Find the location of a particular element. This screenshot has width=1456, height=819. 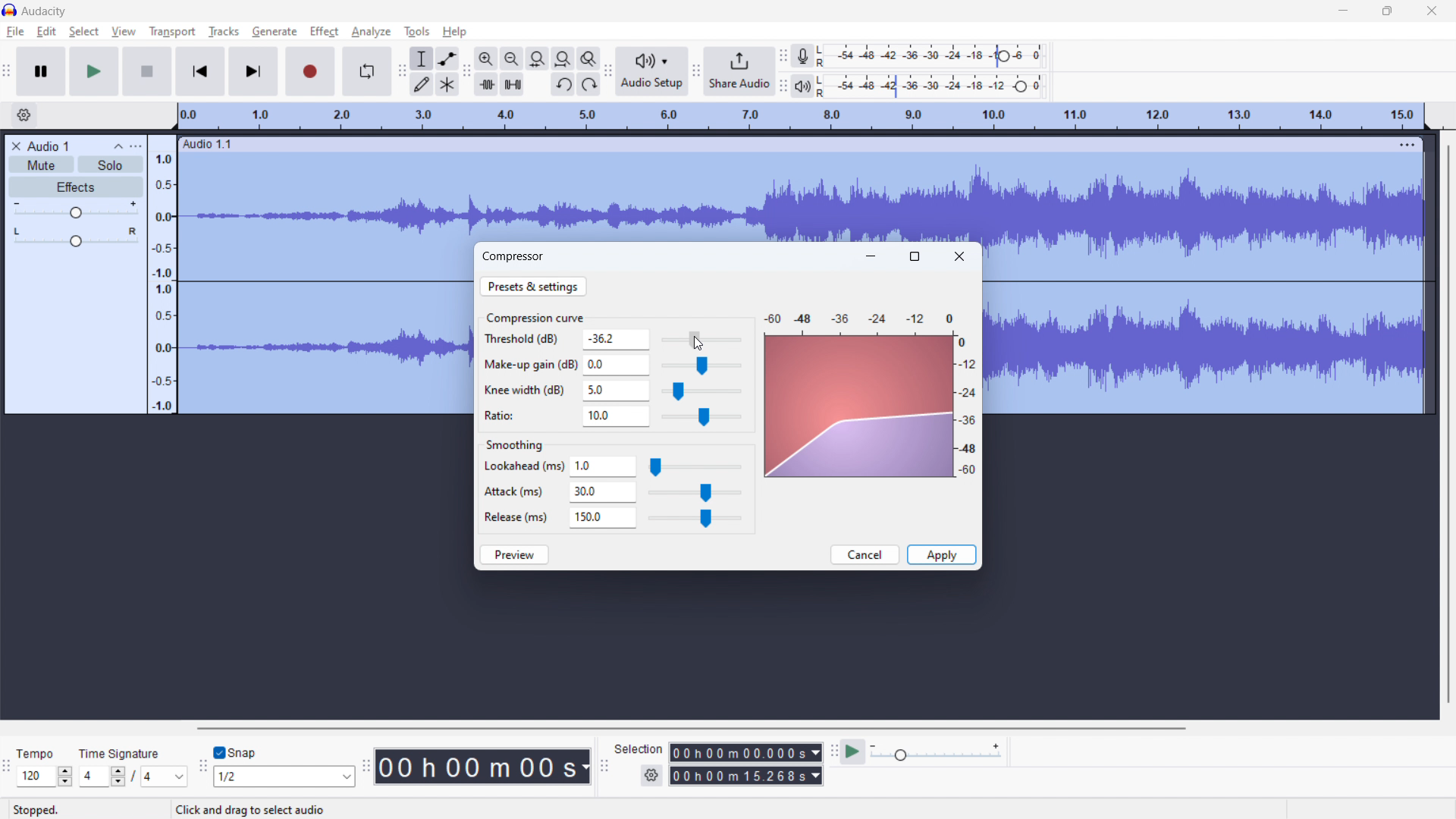

 Lookahead (ms) is located at coordinates (523, 467).